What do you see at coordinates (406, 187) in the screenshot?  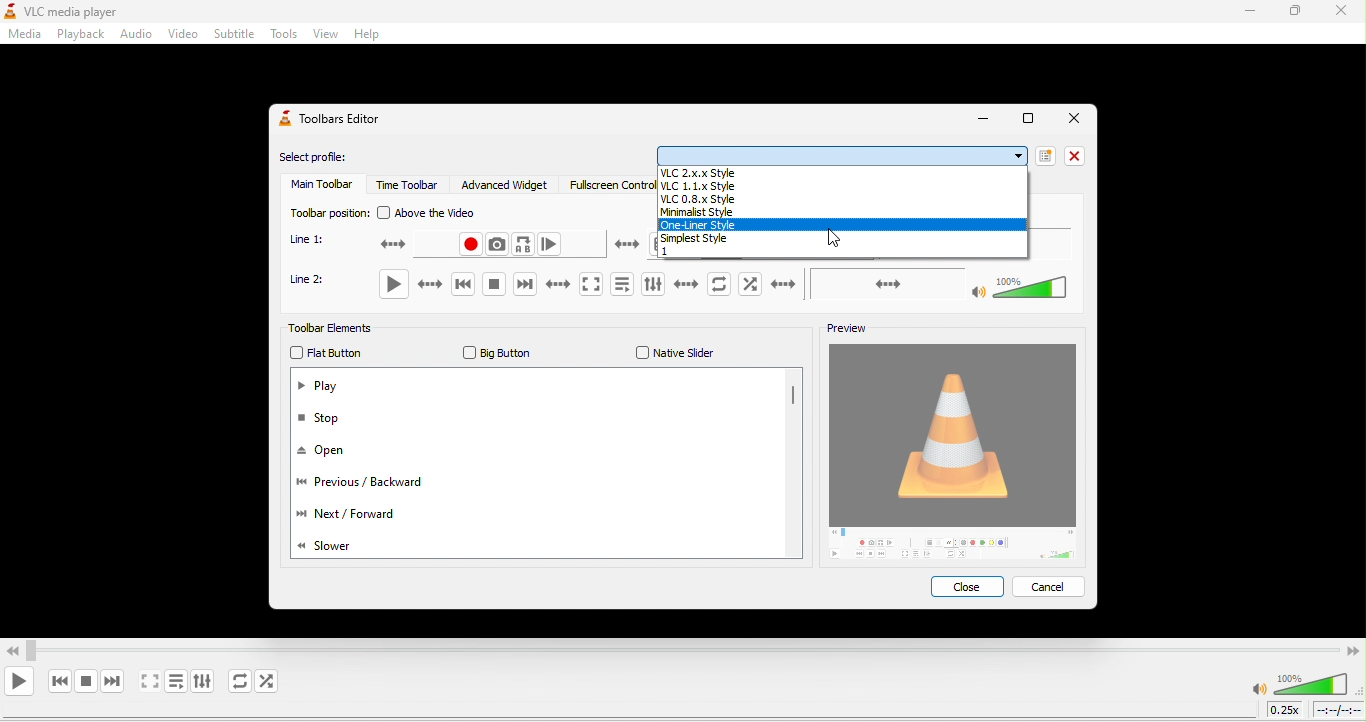 I see `time toolbar` at bounding box center [406, 187].